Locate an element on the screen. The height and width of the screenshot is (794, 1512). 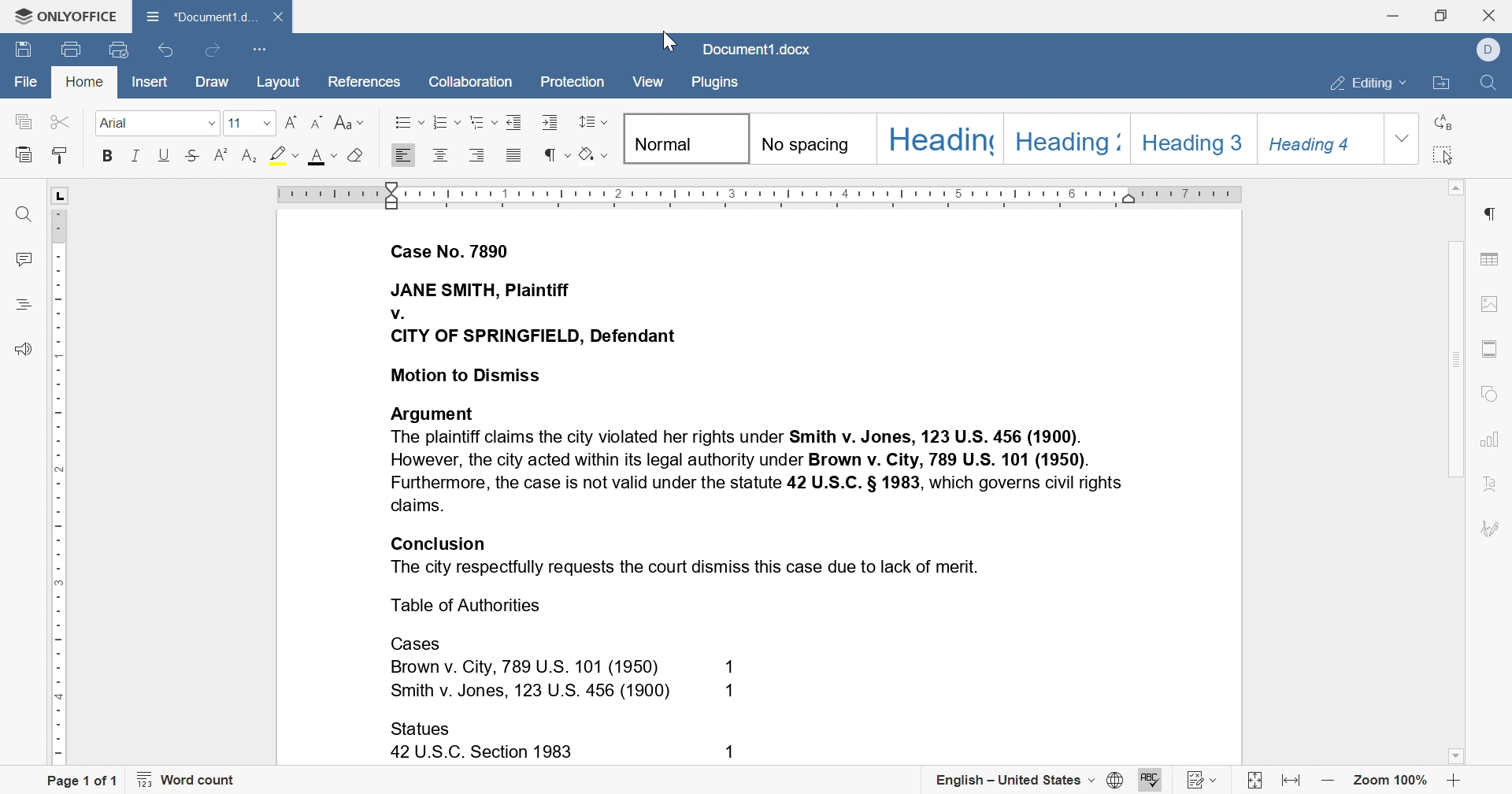
Align Right is located at coordinates (404, 155).